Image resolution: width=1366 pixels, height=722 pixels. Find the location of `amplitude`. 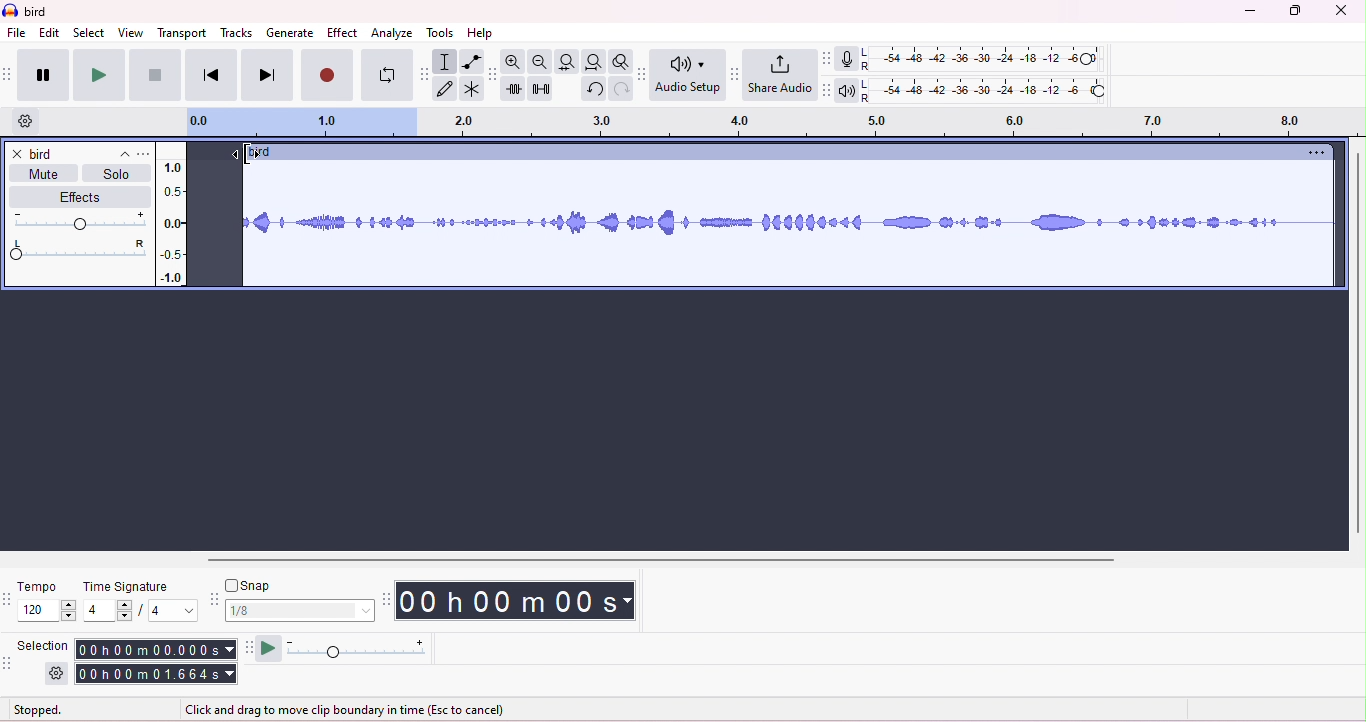

amplitude is located at coordinates (172, 217).